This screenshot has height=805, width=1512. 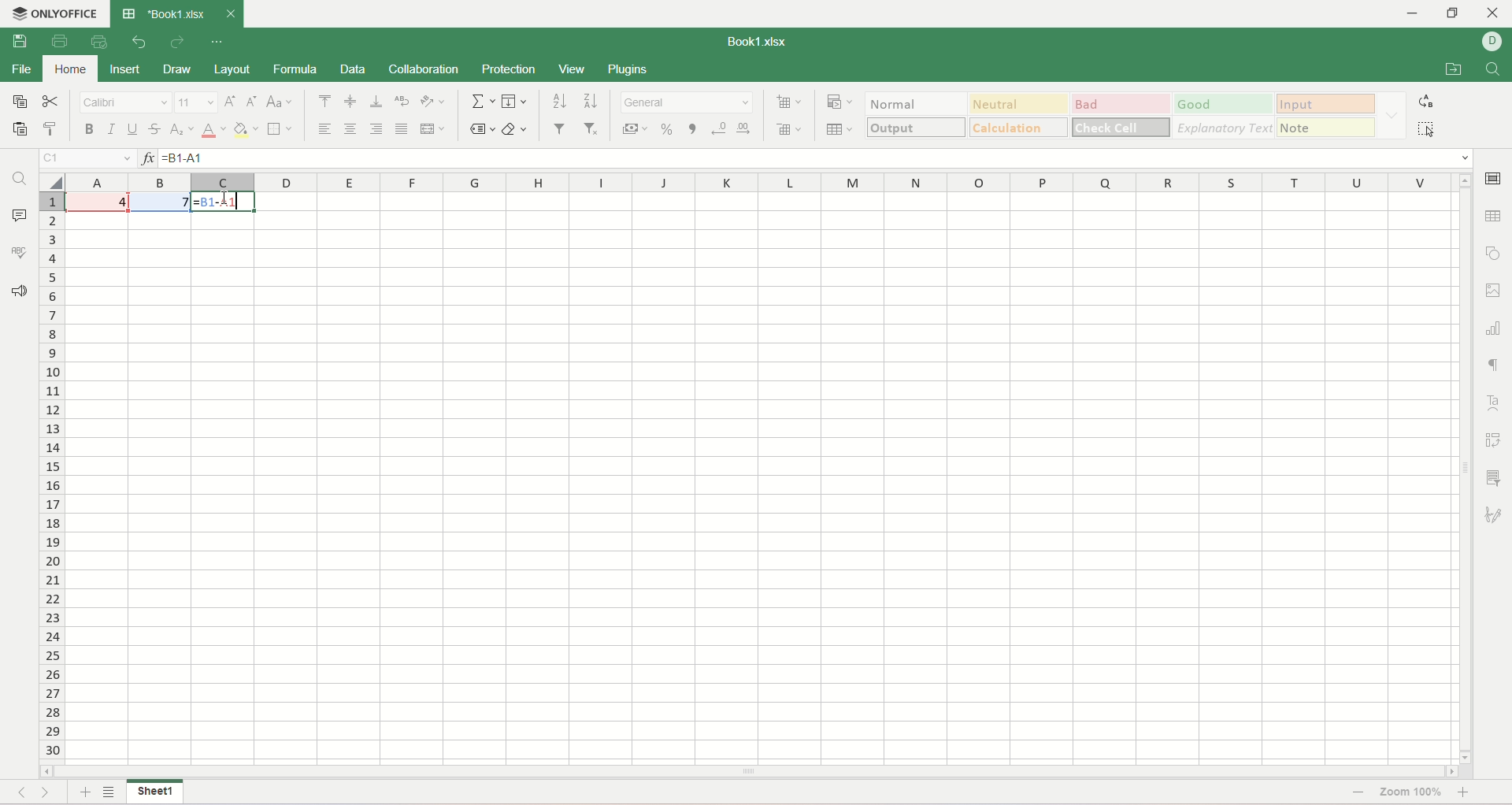 What do you see at coordinates (50, 792) in the screenshot?
I see `next` at bounding box center [50, 792].